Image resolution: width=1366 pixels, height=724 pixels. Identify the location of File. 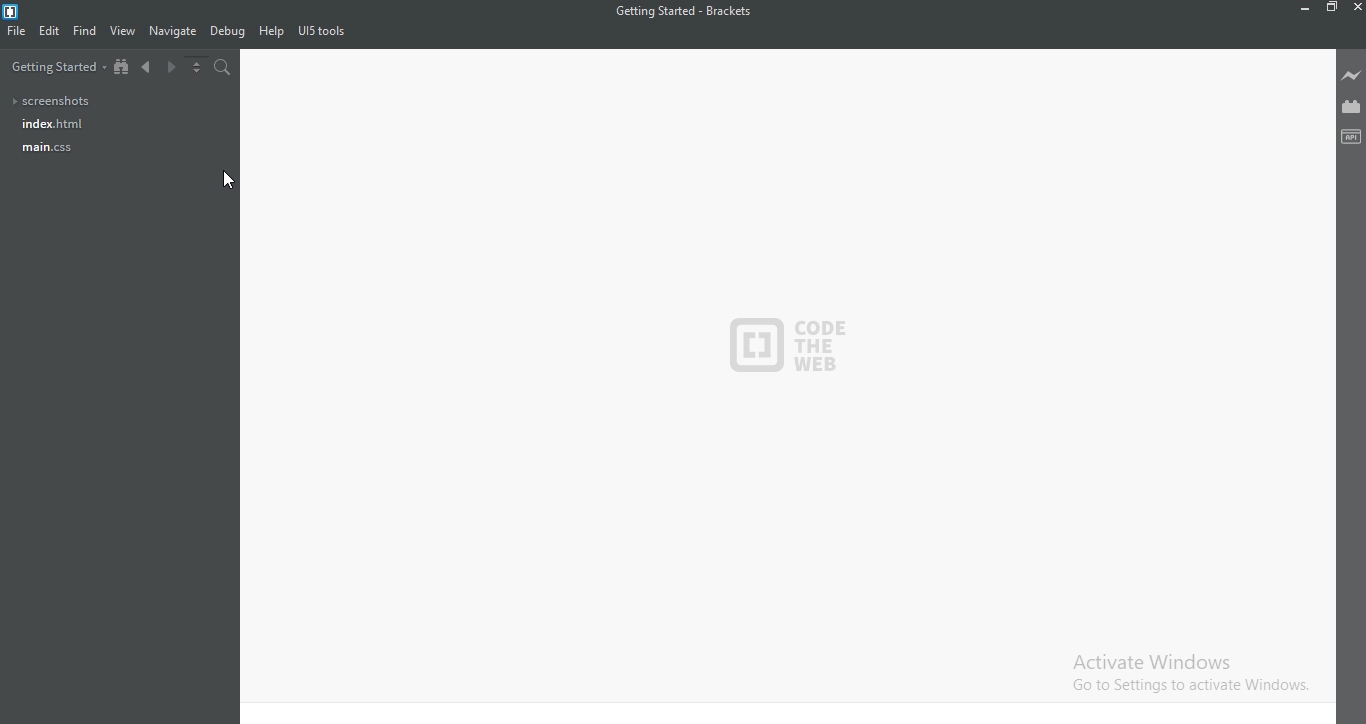
(18, 35).